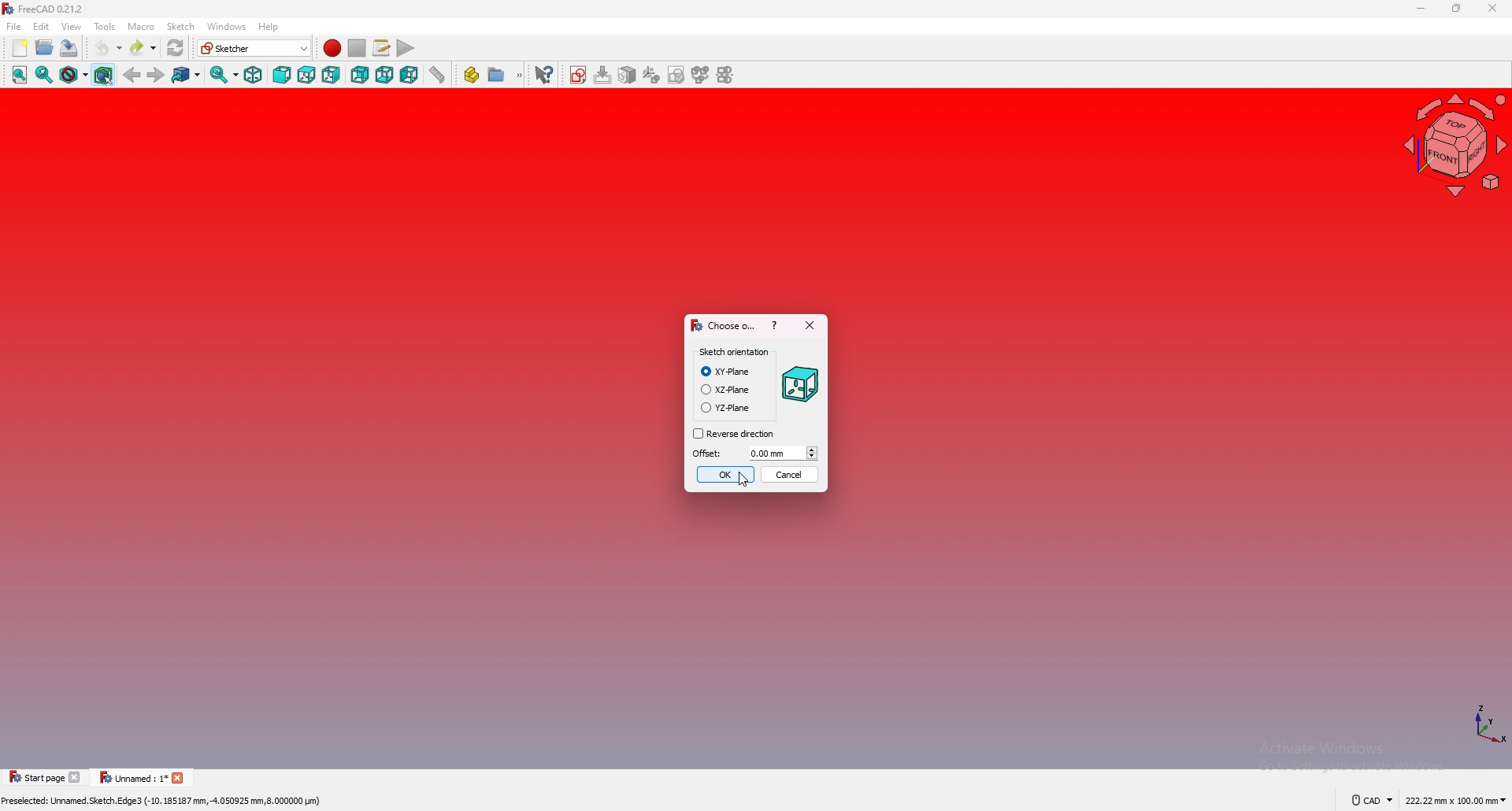  What do you see at coordinates (19, 75) in the screenshot?
I see `fit all` at bounding box center [19, 75].